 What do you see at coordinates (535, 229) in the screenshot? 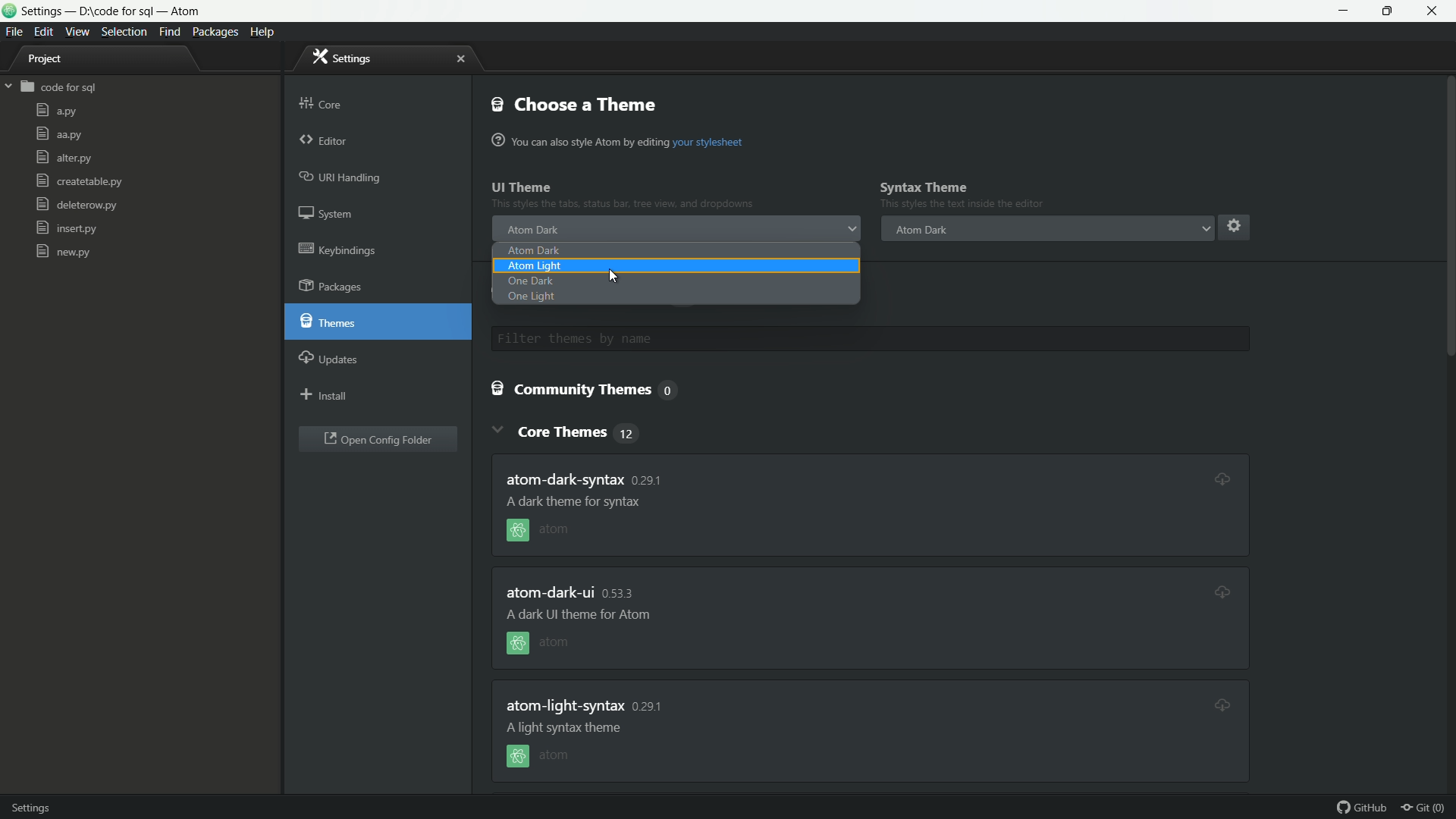
I see `atom dark` at bounding box center [535, 229].